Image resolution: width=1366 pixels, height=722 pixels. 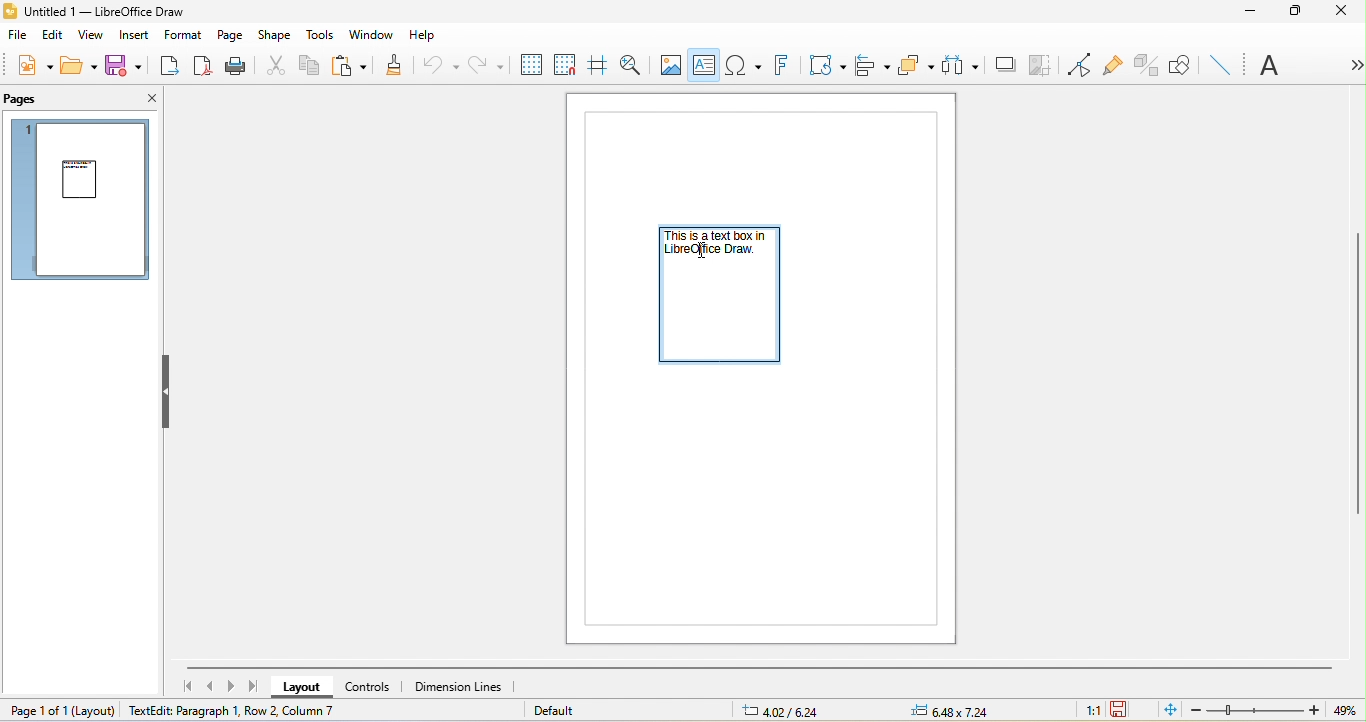 What do you see at coordinates (237, 65) in the screenshot?
I see `print` at bounding box center [237, 65].